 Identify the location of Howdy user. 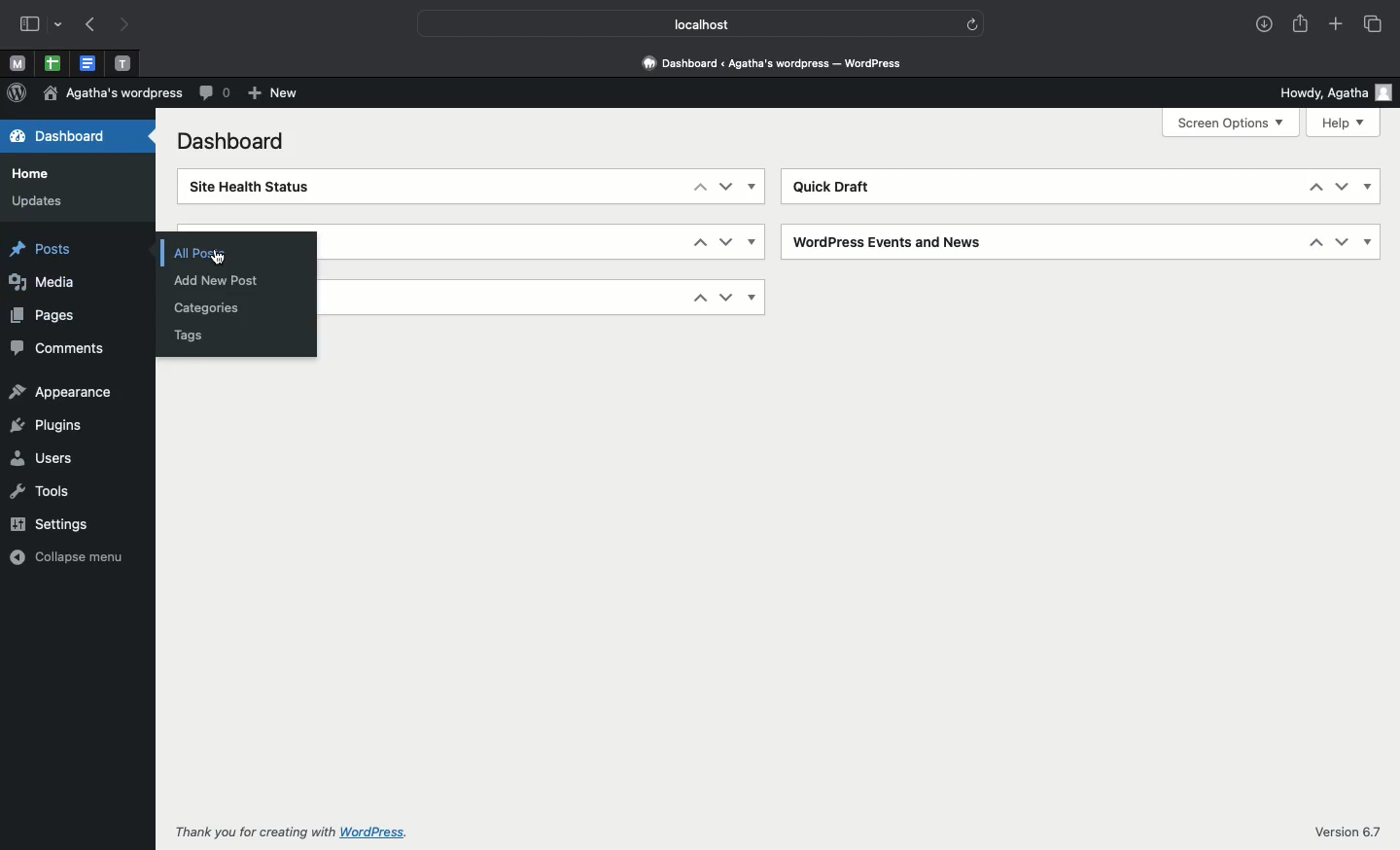
(1337, 93).